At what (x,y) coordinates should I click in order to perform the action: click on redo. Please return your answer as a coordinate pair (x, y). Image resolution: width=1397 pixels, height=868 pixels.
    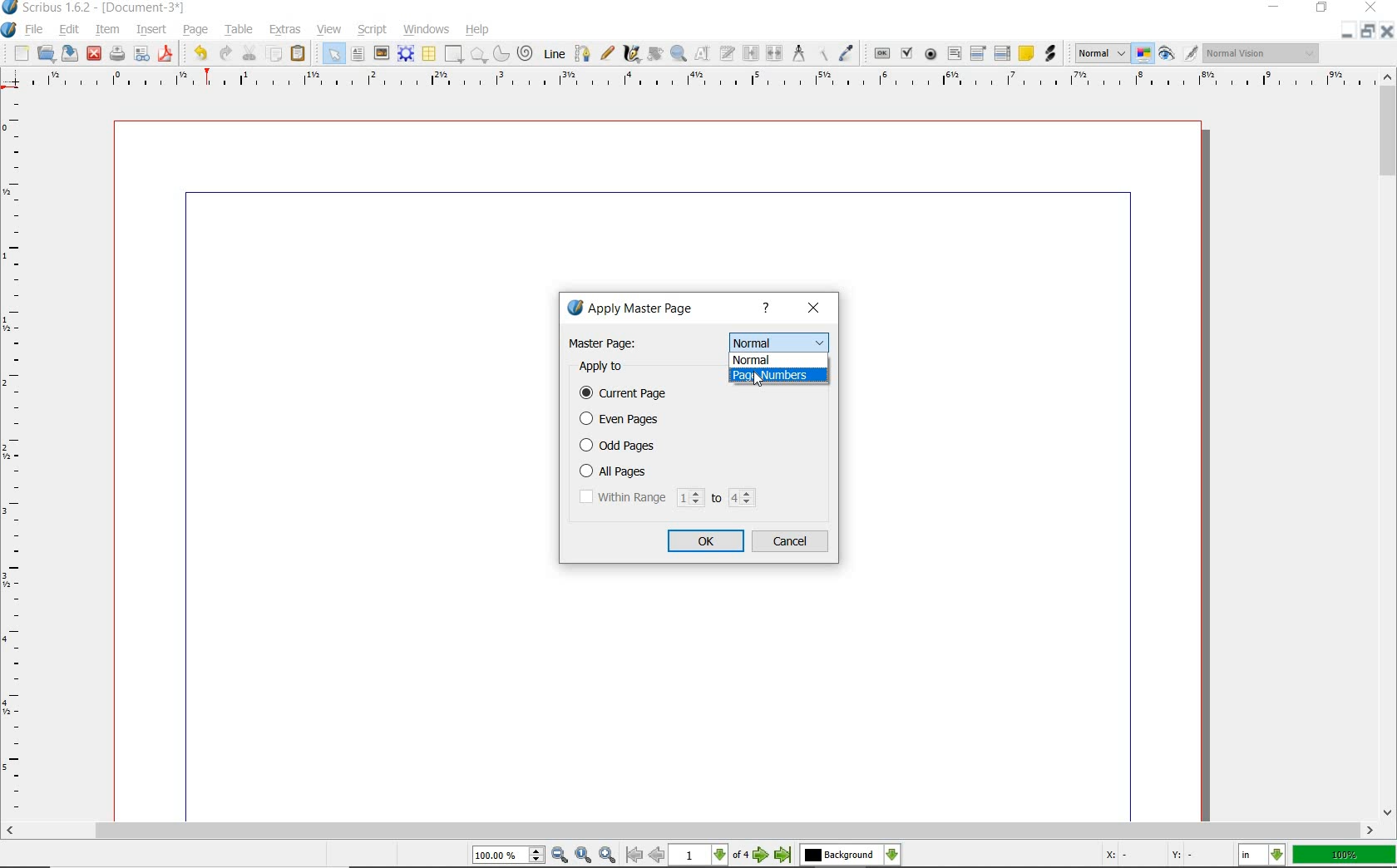
    Looking at the image, I should click on (223, 52).